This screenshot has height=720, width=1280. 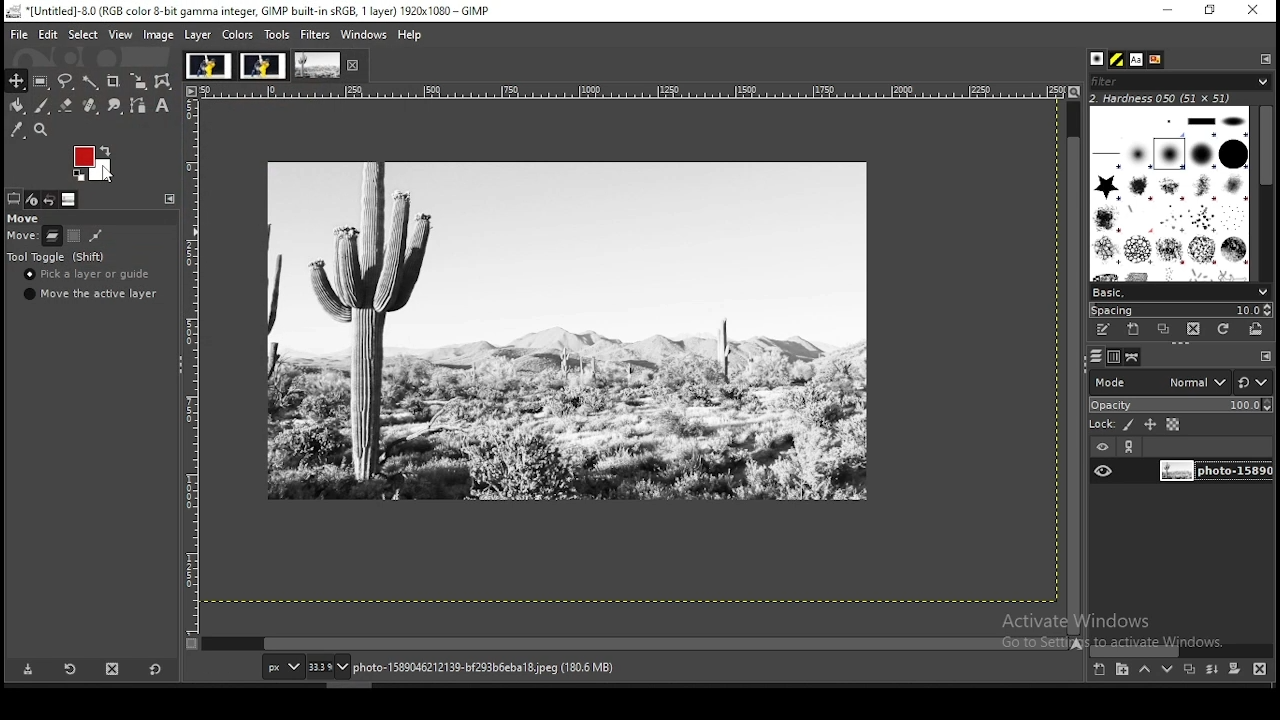 I want to click on lock pixels, so click(x=1111, y=423).